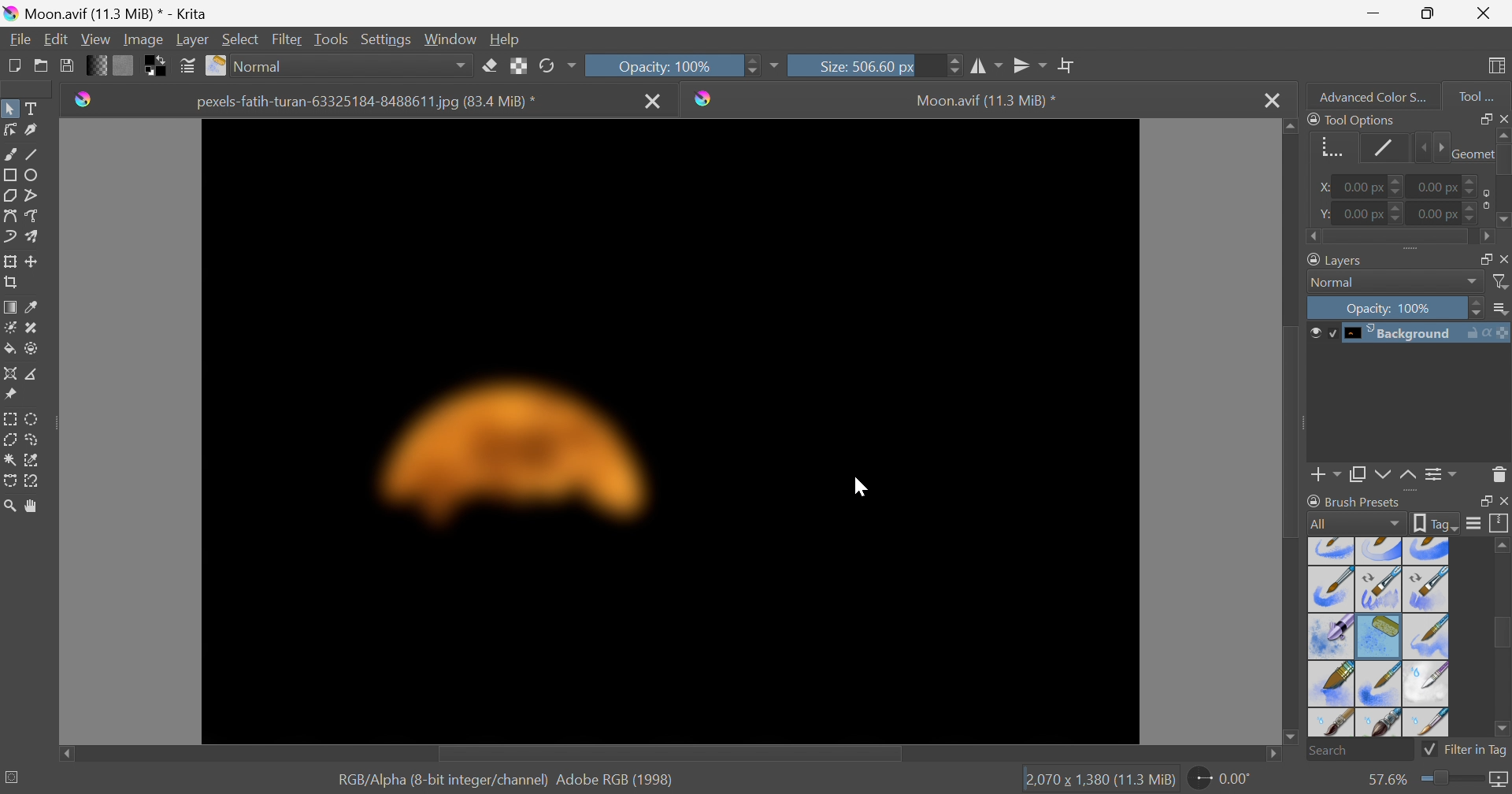 This screenshot has height=794, width=1512. What do you see at coordinates (9, 175) in the screenshot?
I see `Rectangle tool` at bounding box center [9, 175].